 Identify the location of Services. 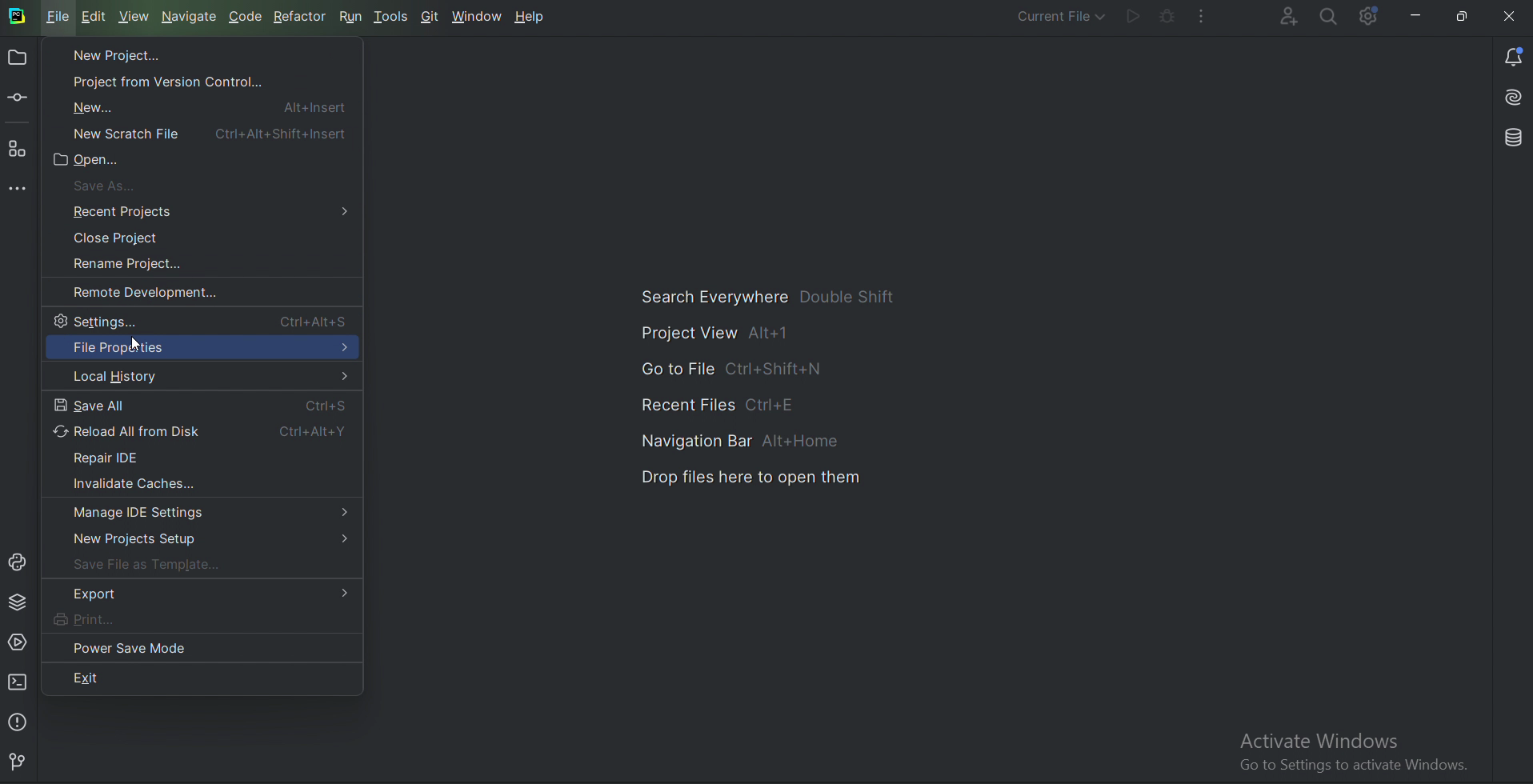
(17, 642).